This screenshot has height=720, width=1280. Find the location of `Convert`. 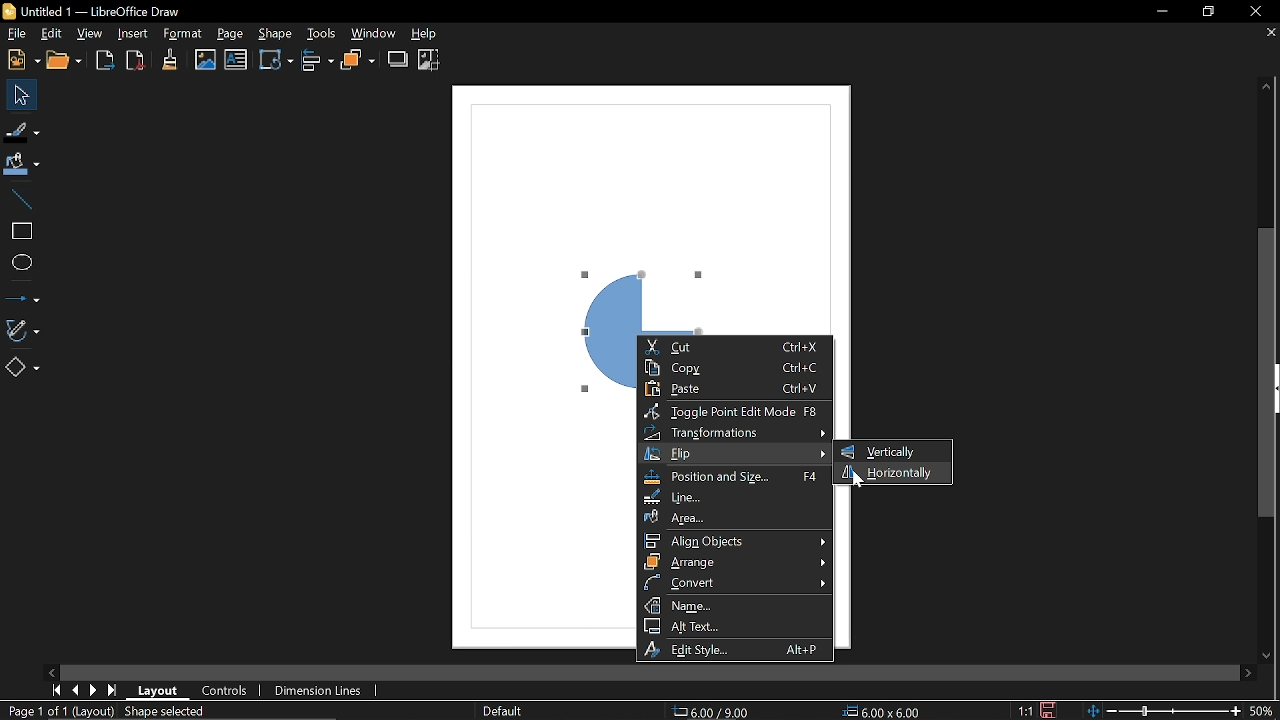

Convert is located at coordinates (738, 582).